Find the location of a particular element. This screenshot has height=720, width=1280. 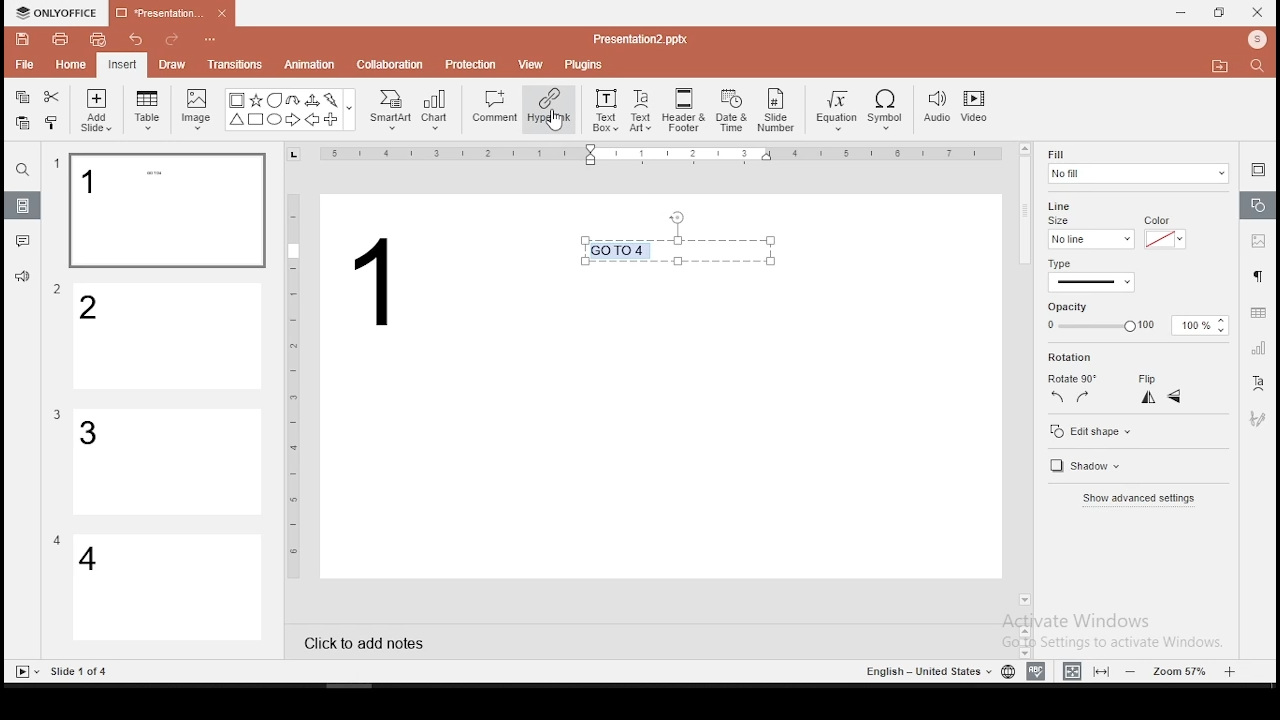

cut is located at coordinates (52, 96).